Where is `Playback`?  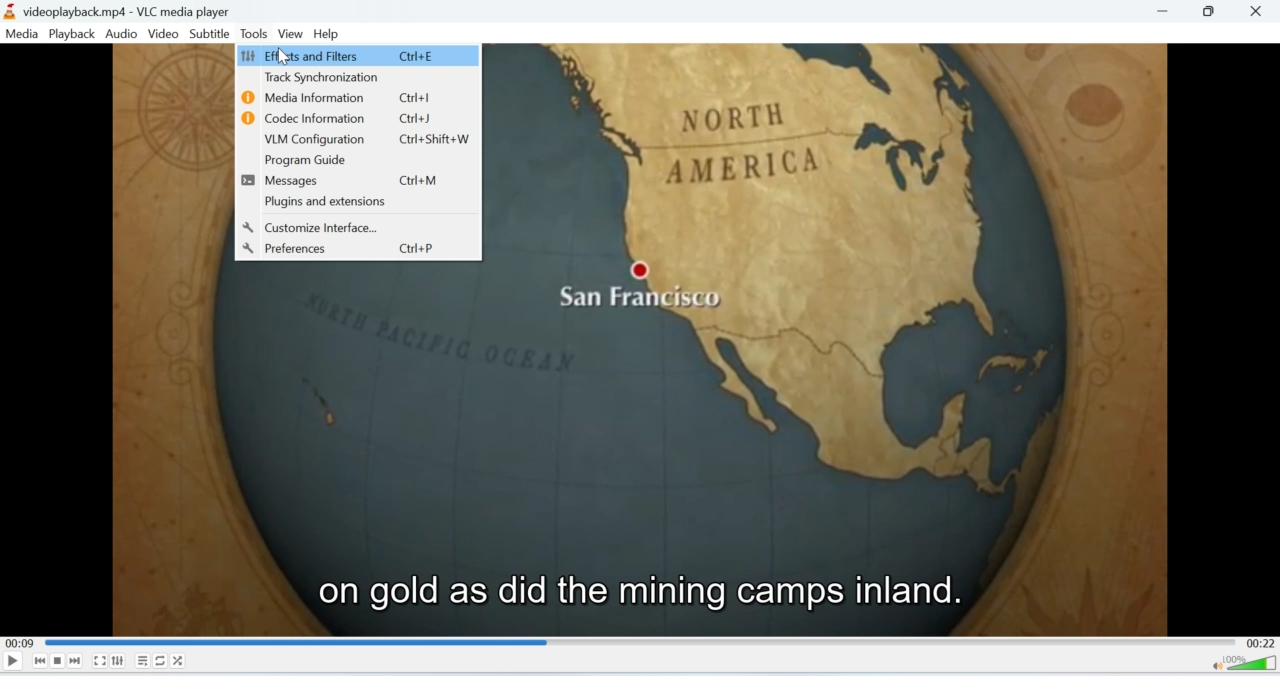 Playback is located at coordinates (72, 34).